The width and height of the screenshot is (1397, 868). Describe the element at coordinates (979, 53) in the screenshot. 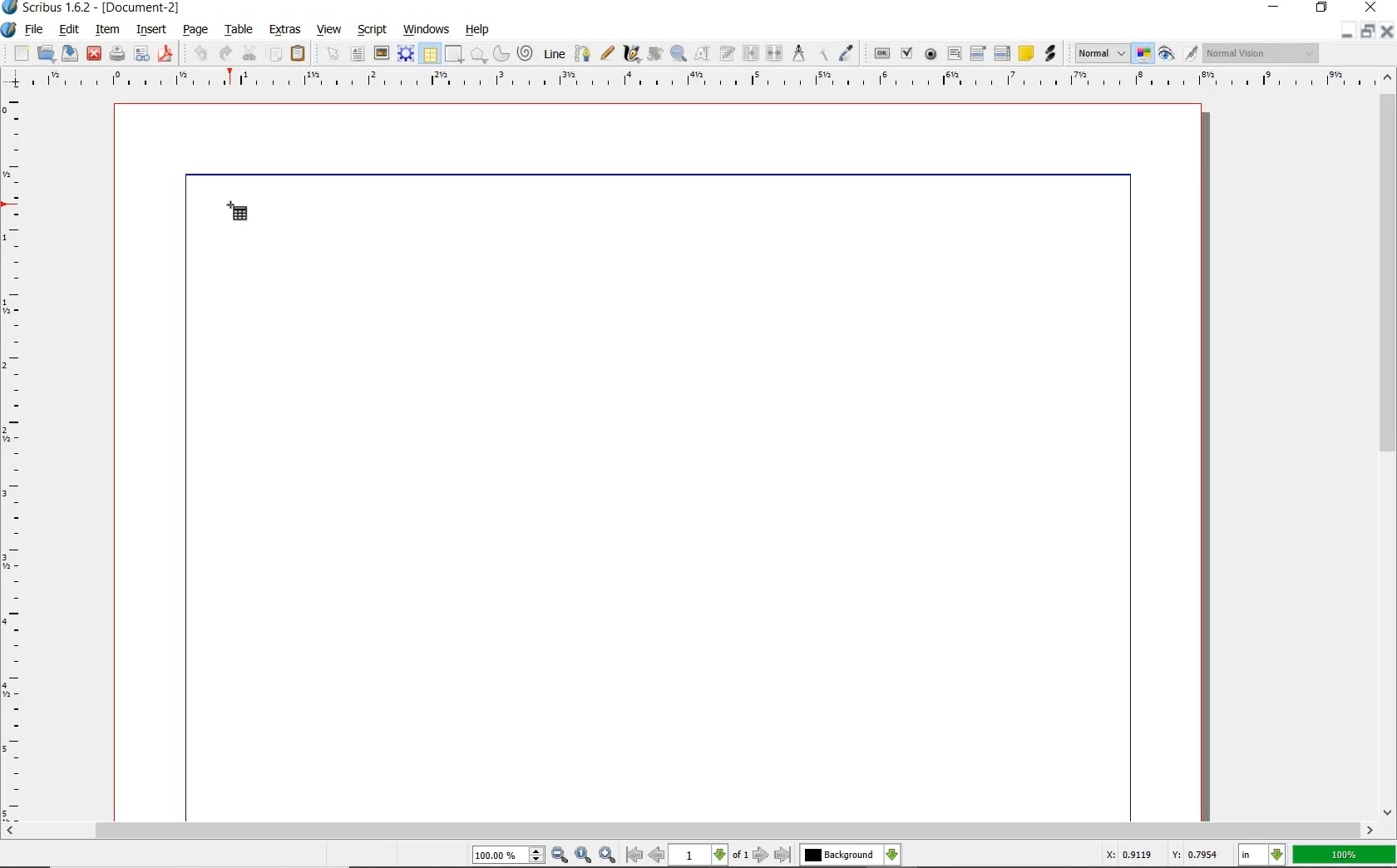

I see `pdf combo box` at that location.